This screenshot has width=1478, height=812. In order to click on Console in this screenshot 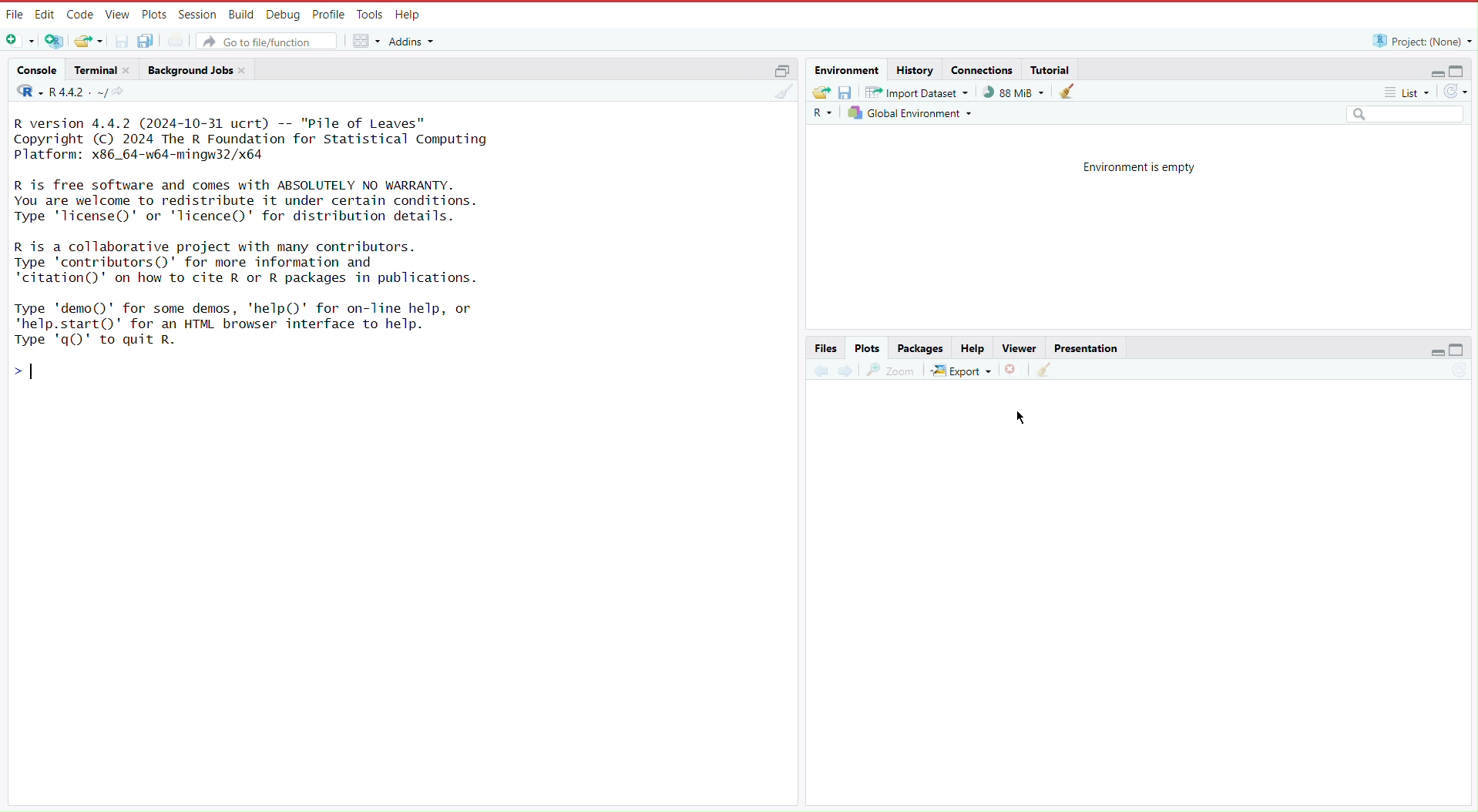, I will do `click(37, 72)`.